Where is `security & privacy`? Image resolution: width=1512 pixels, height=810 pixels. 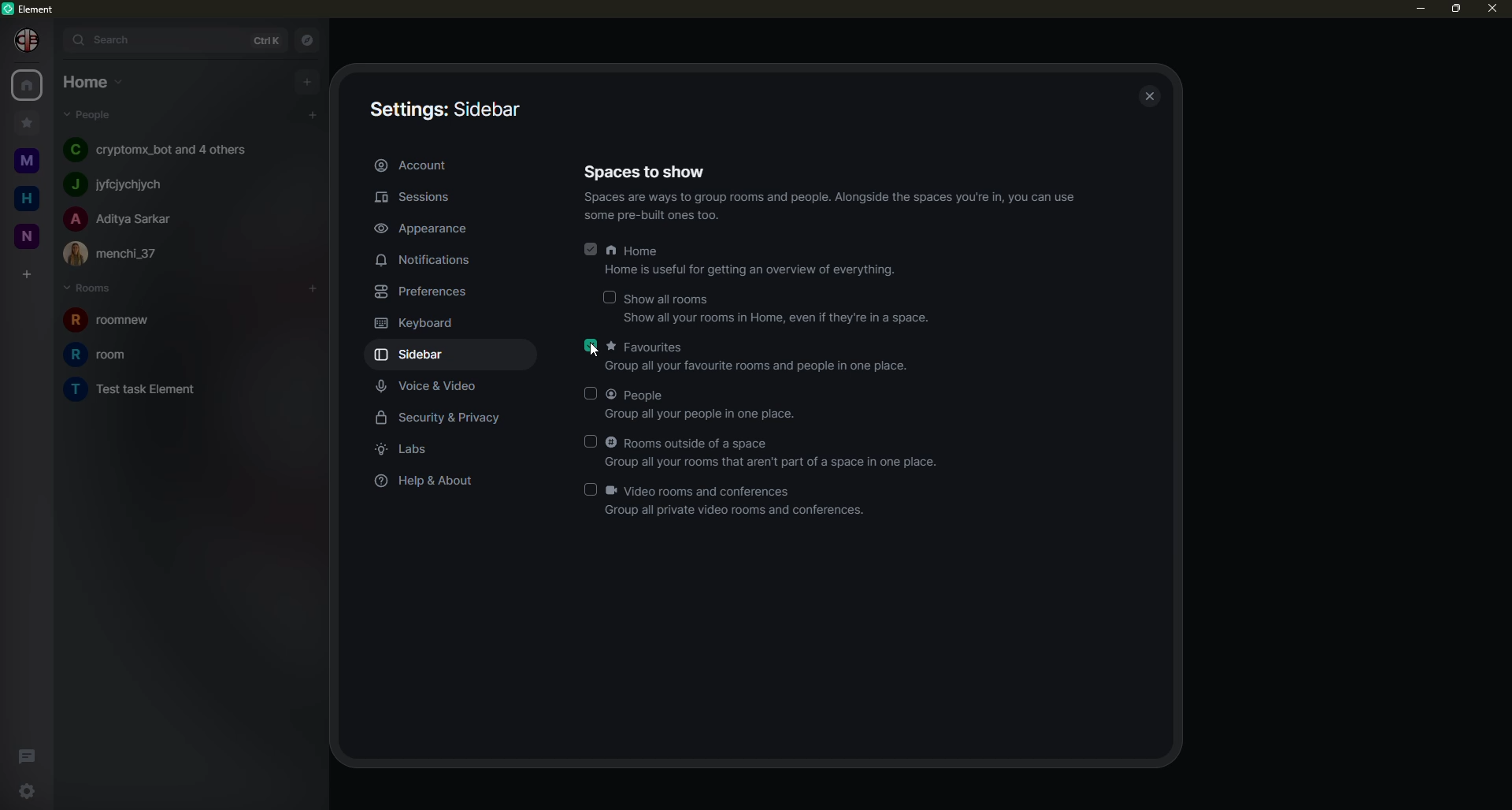
security & privacy is located at coordinates (445, 421).